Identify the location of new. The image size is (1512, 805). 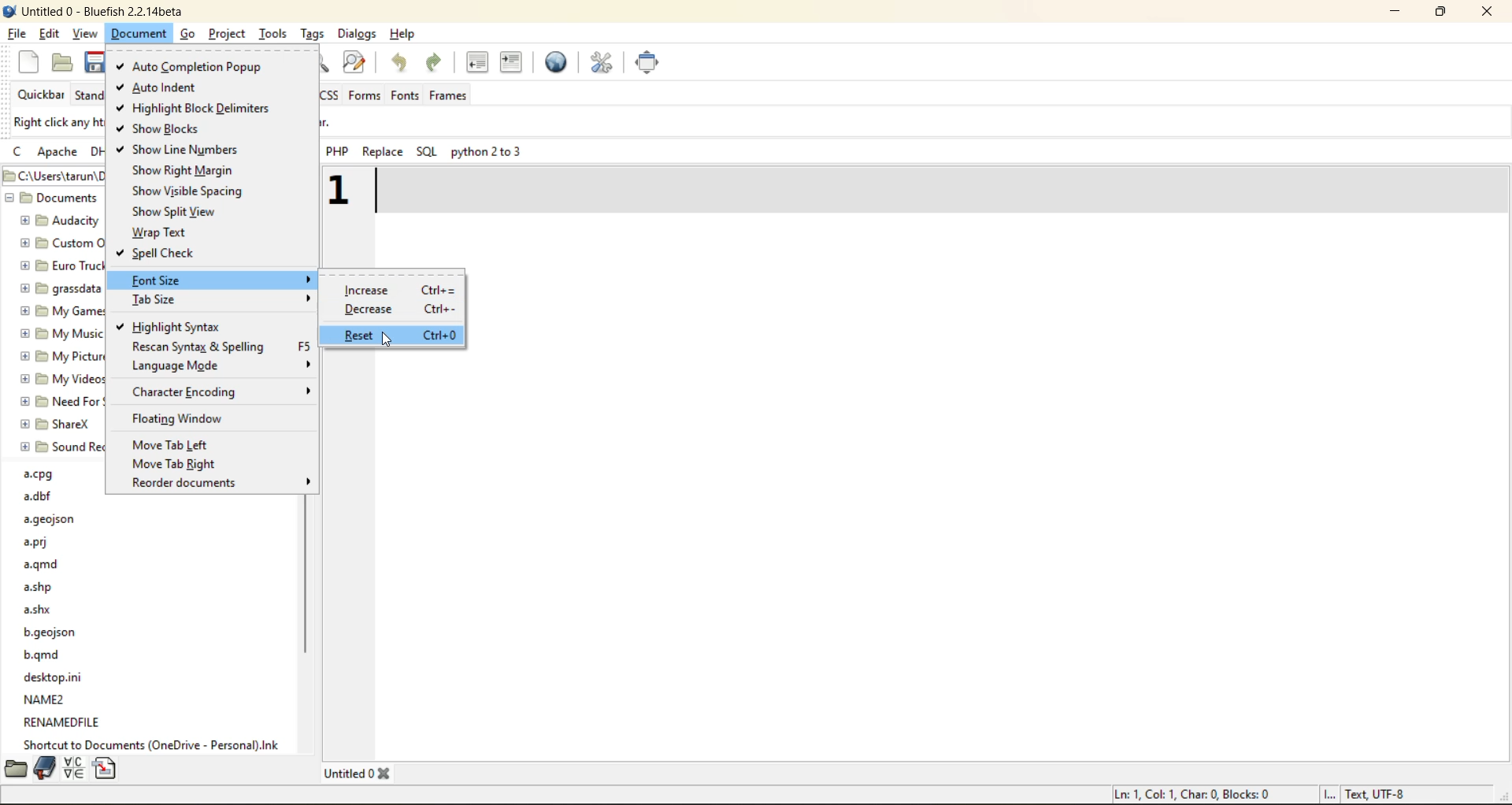
(28, 59).